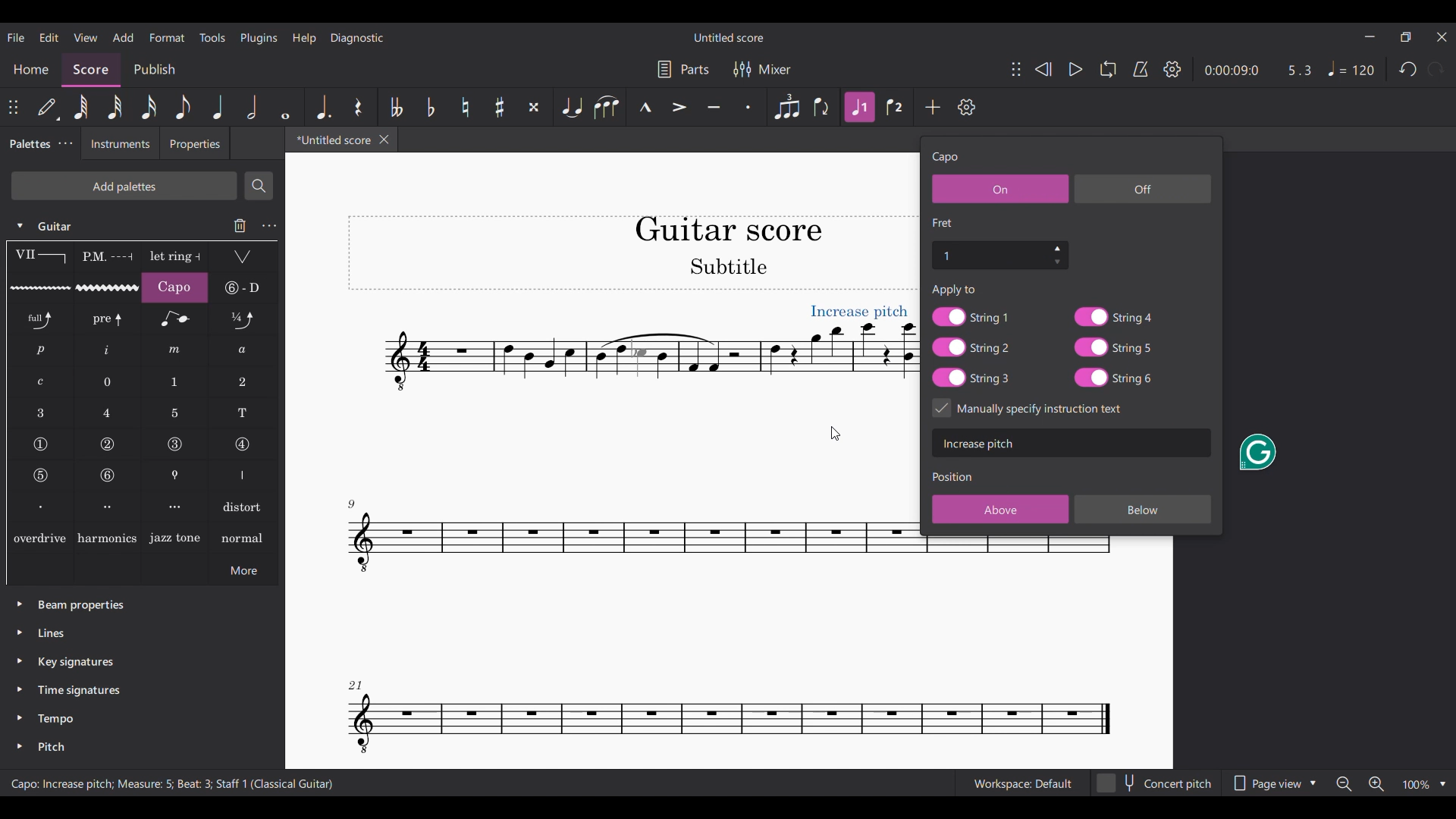 The height and width of the screenshot is (819, 1456). Describe the element at coordinates (606, 107) in the screenshot. I see `Slur` at that location.